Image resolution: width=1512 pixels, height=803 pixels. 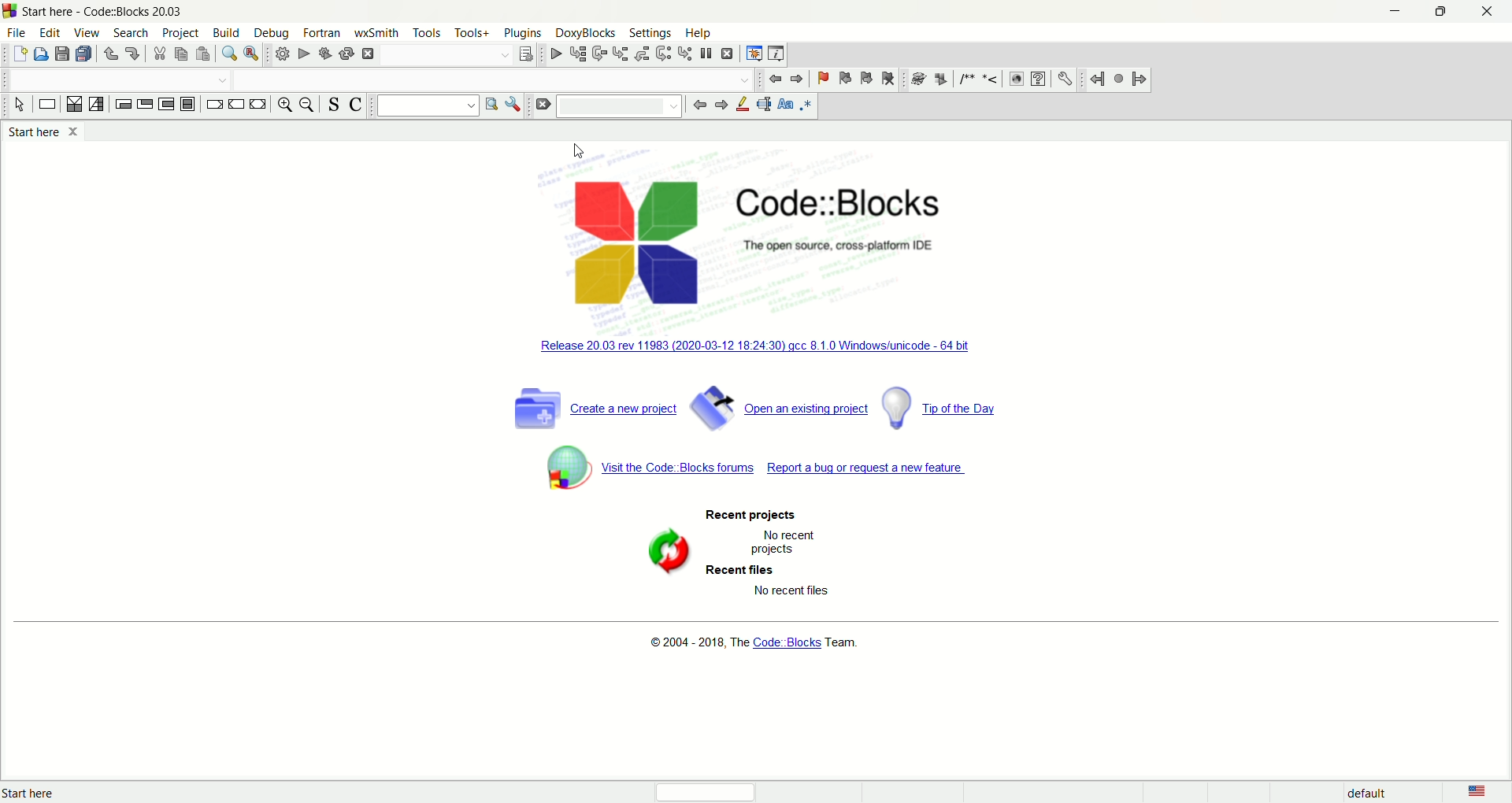 I want to click on symbol, so click(x=648, y=551).